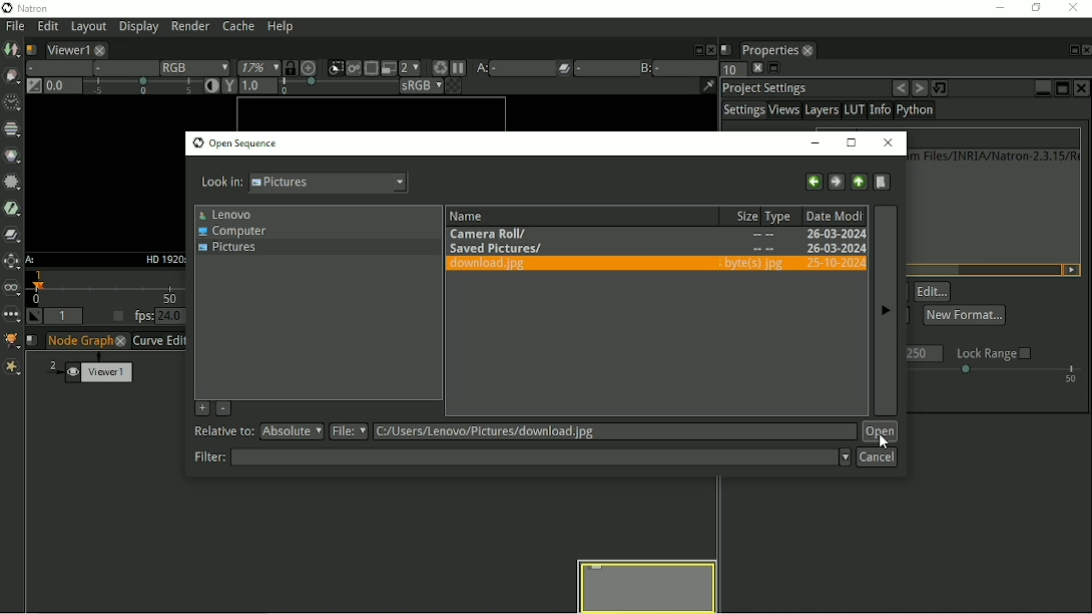 This screenshot has height=614, width=1092. I want to click on Operations pllied between Viewer input A and B, so click(574, 68).